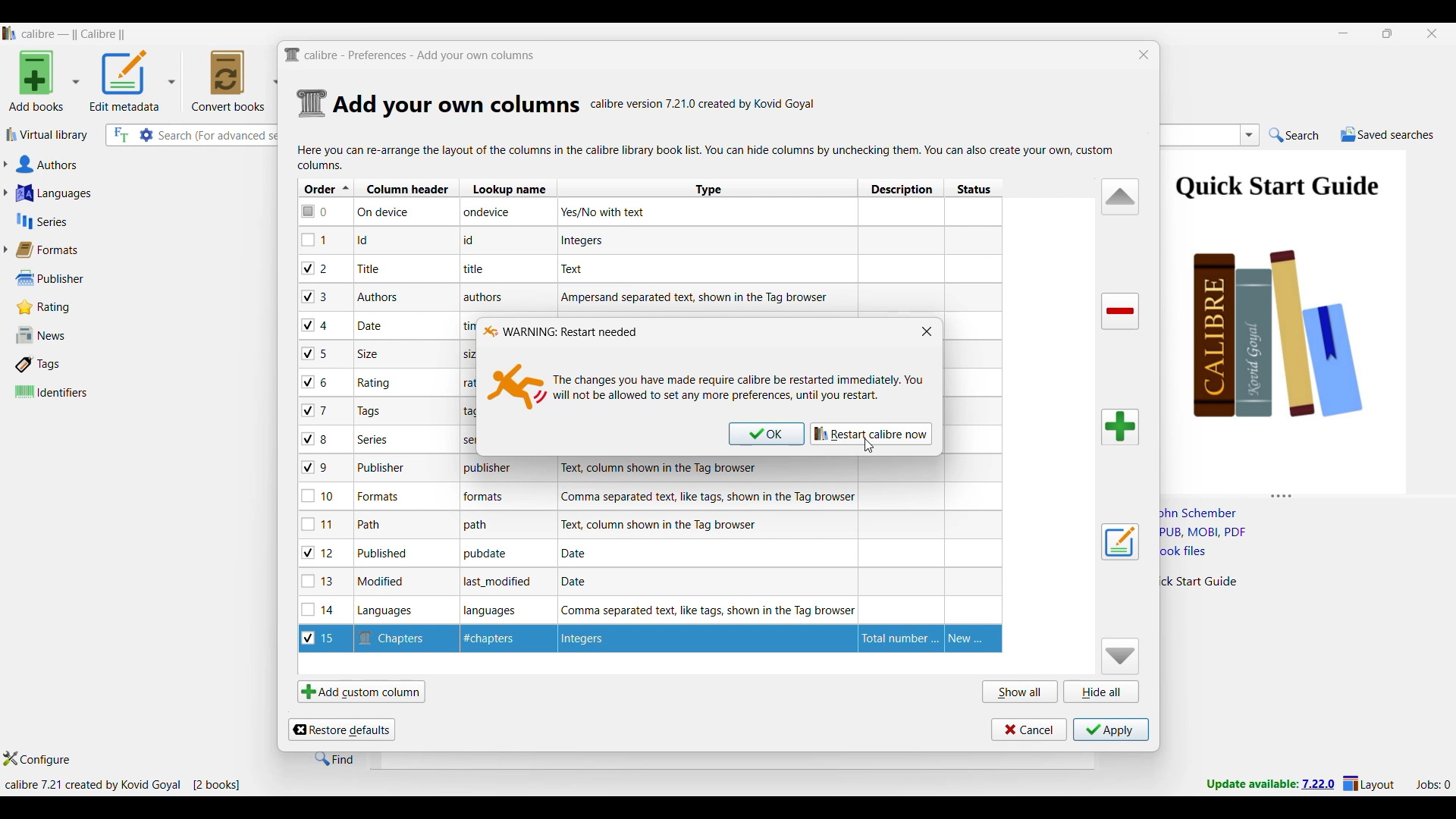 This screenshot has width=1456, height=819. I want to click on Search the full text of all books, so click(120, 135).